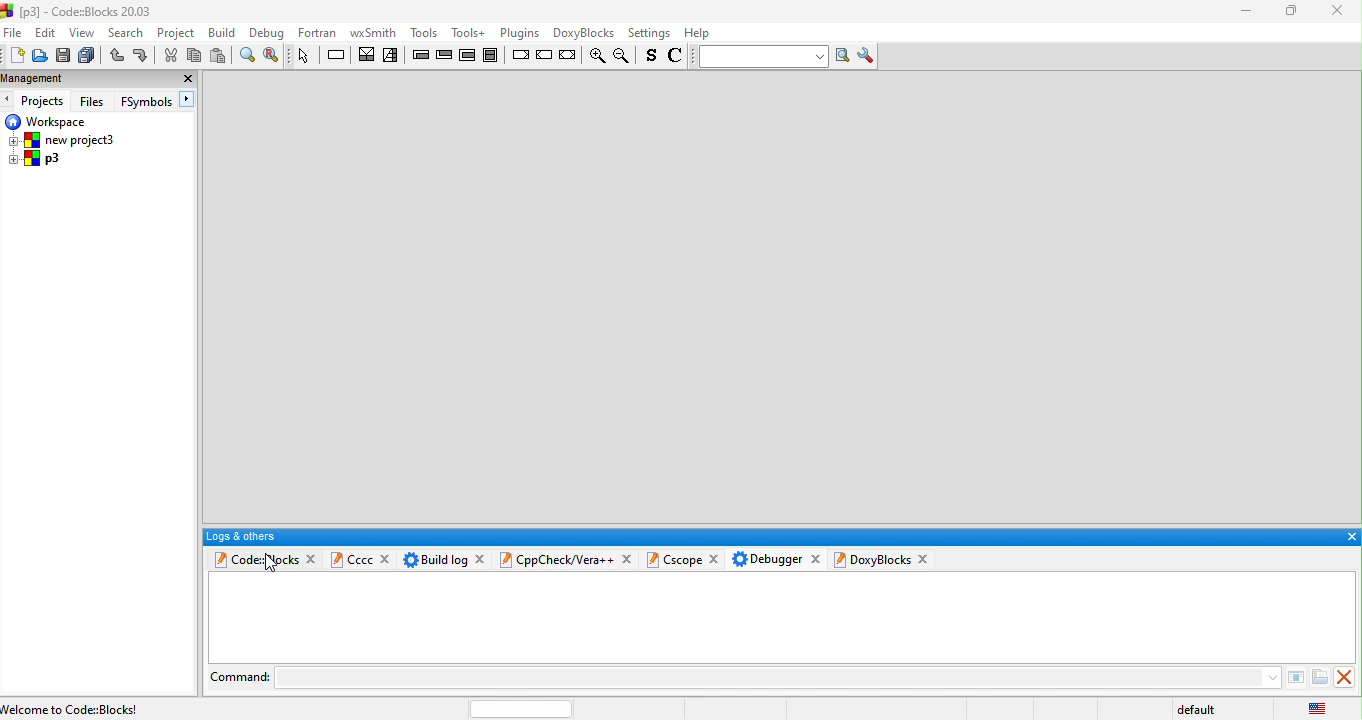 Image resolution: width=1362 pixels, height=720 pixels. What do you see at coordinates (86, 56) in the screenshot?
I see `save everything` at bounding box center [86, 56].